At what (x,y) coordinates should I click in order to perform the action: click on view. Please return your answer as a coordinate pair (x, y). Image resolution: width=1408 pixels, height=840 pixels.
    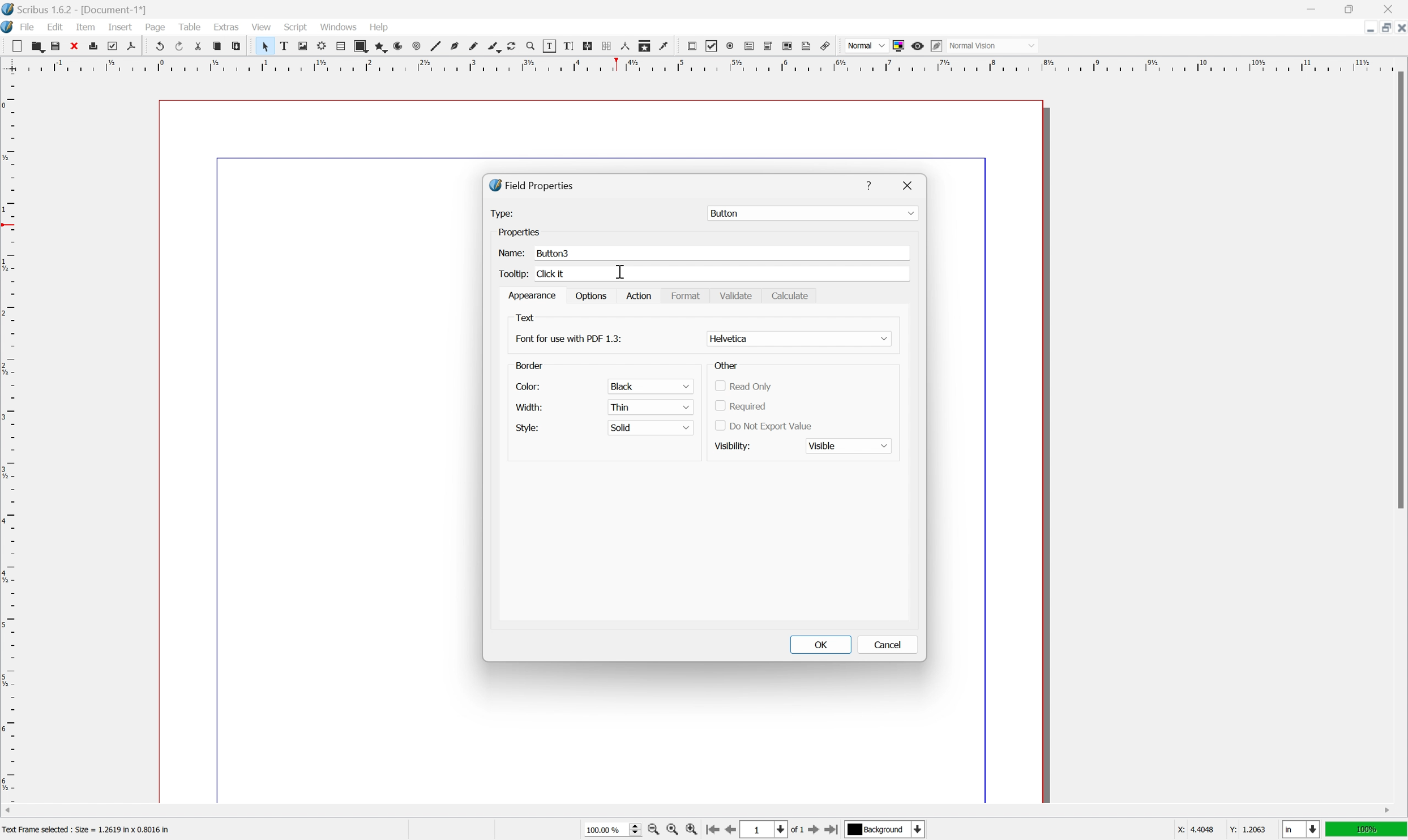
    Looking at the image, I should click on (262, 26).